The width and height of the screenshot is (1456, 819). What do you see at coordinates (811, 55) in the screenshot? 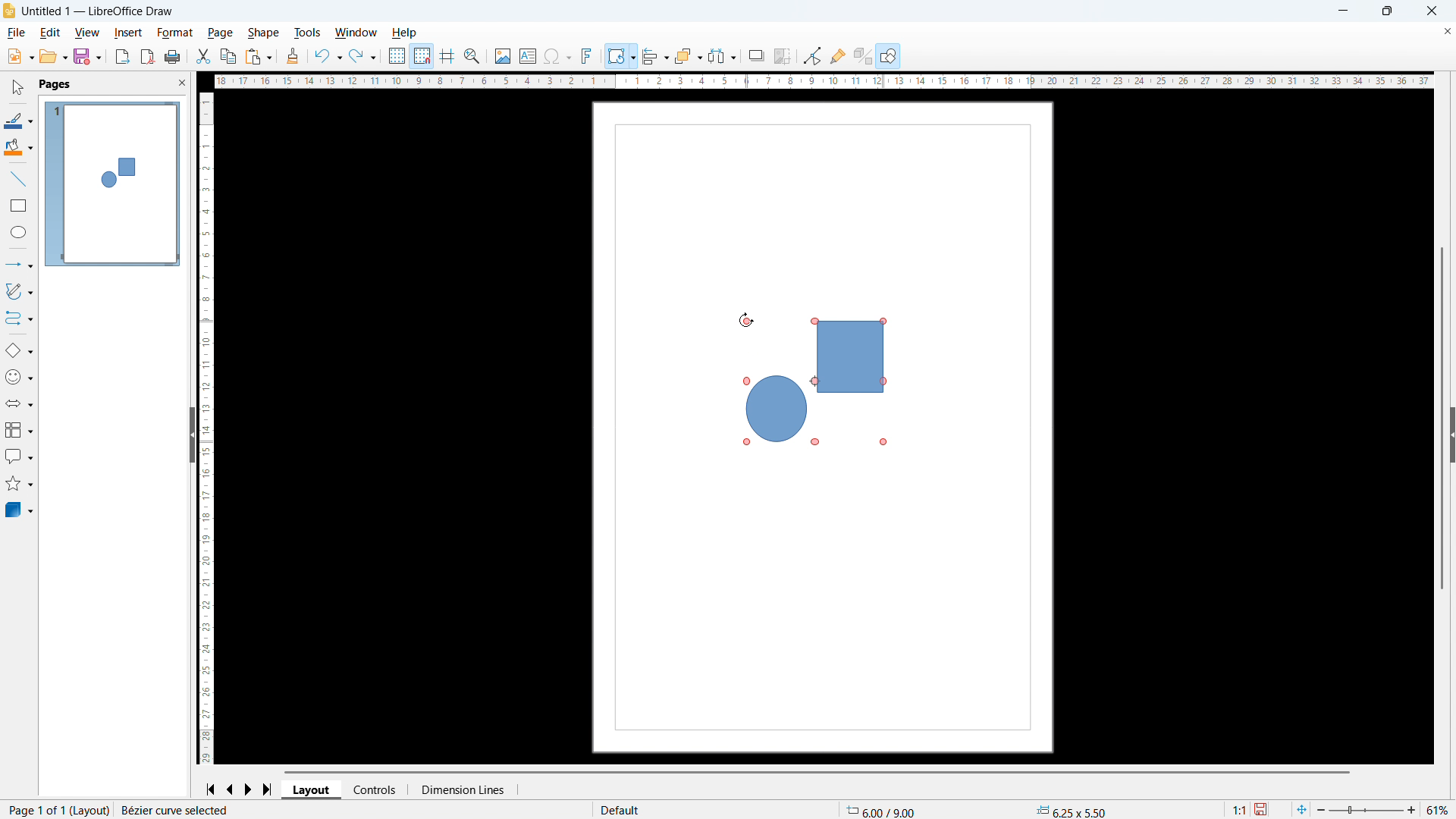
I see `Toggle point edit mode ` at bounding box center [811, 55].